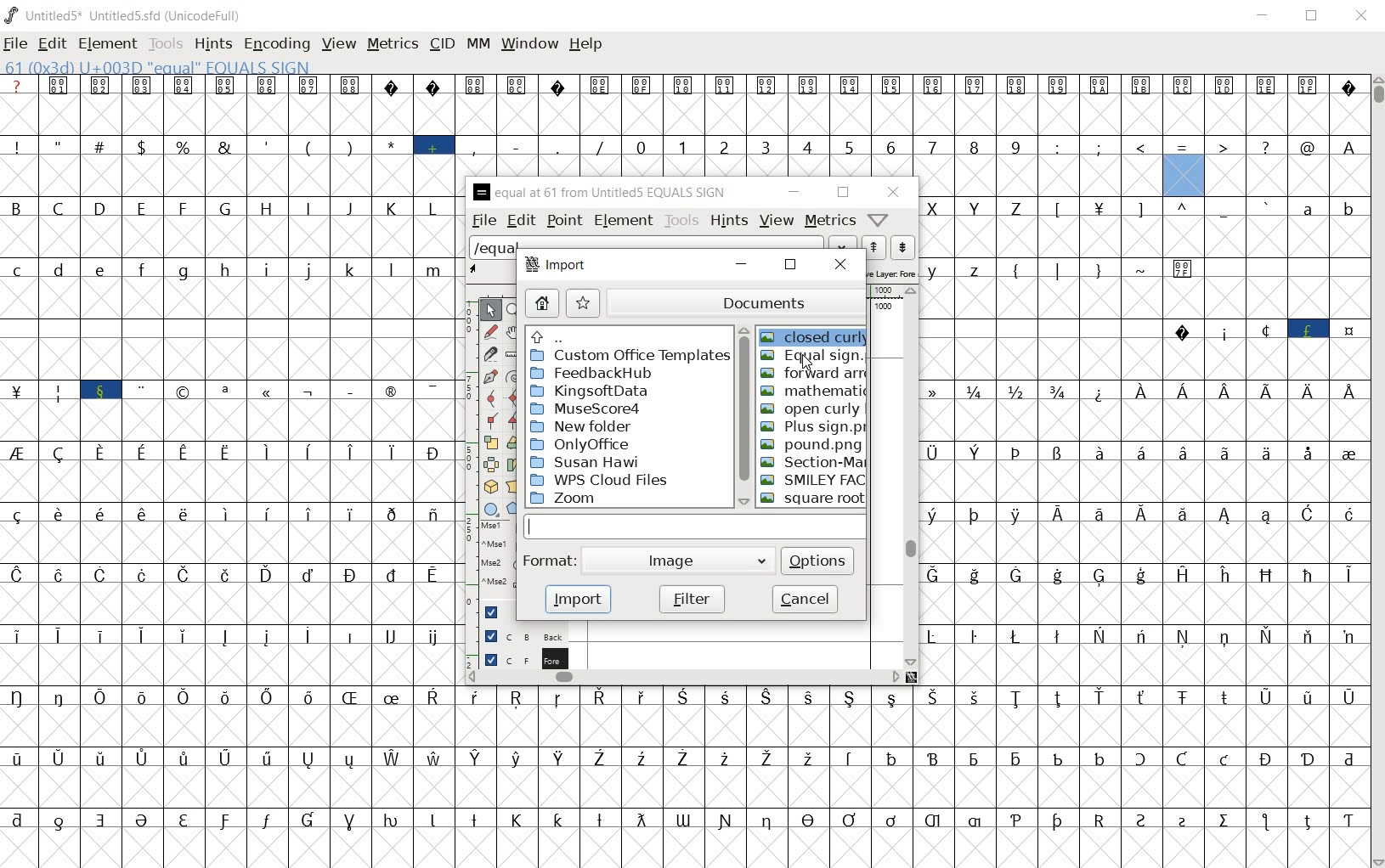 Image resolution: width=1385 pixels, height=868 pixels. What do you see at coordinates (895, 193) in the screenshot?
I see `close` at bounding box center [895, 193].